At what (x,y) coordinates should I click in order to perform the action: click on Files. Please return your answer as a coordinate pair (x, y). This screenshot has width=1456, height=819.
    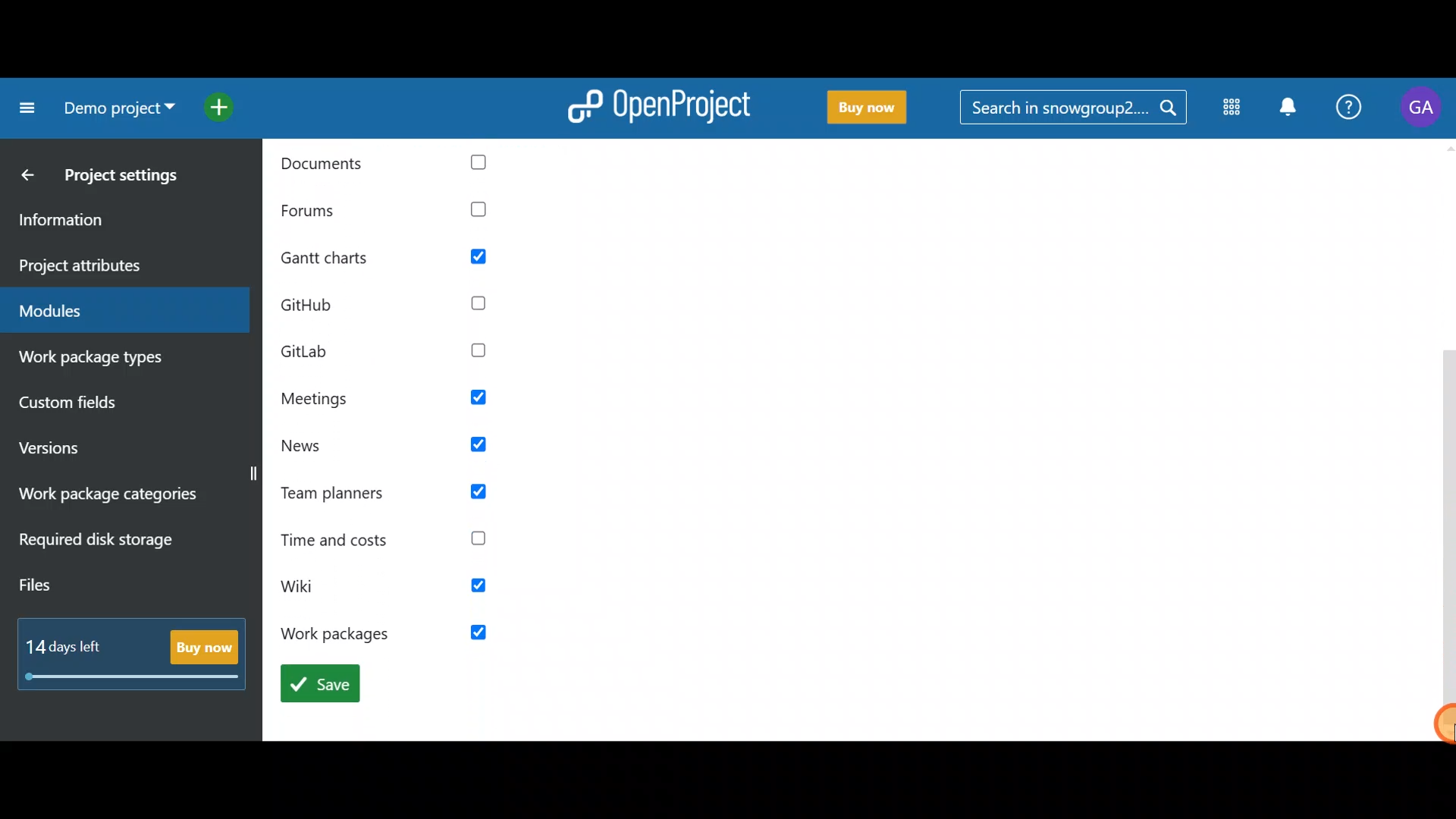
    Looking at the image, I should click on (79, 588).